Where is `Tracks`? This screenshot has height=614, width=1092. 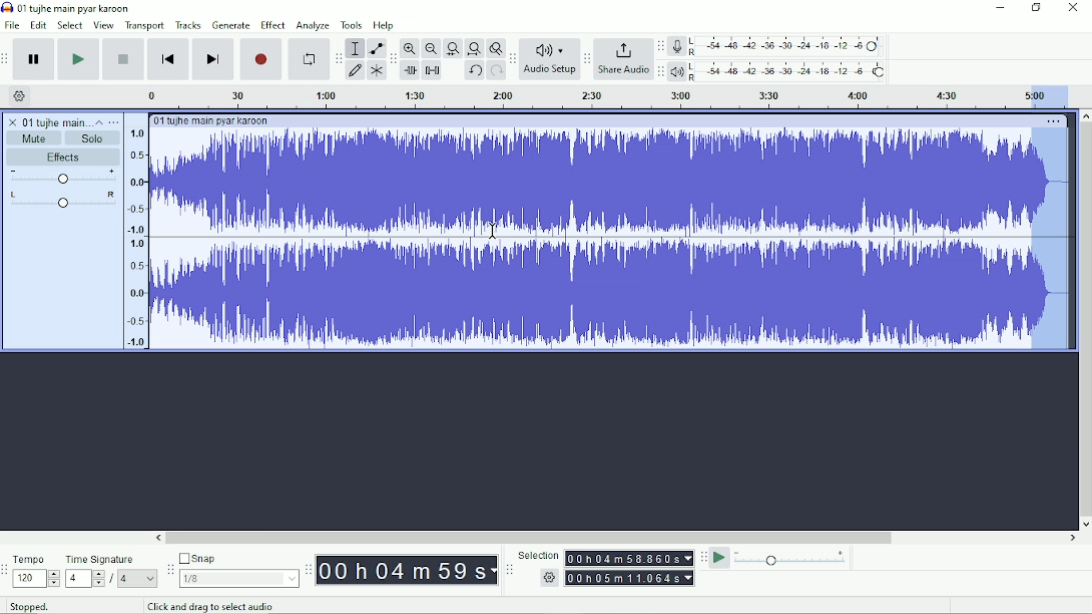
Tracks is located at coordinates (189, 25).